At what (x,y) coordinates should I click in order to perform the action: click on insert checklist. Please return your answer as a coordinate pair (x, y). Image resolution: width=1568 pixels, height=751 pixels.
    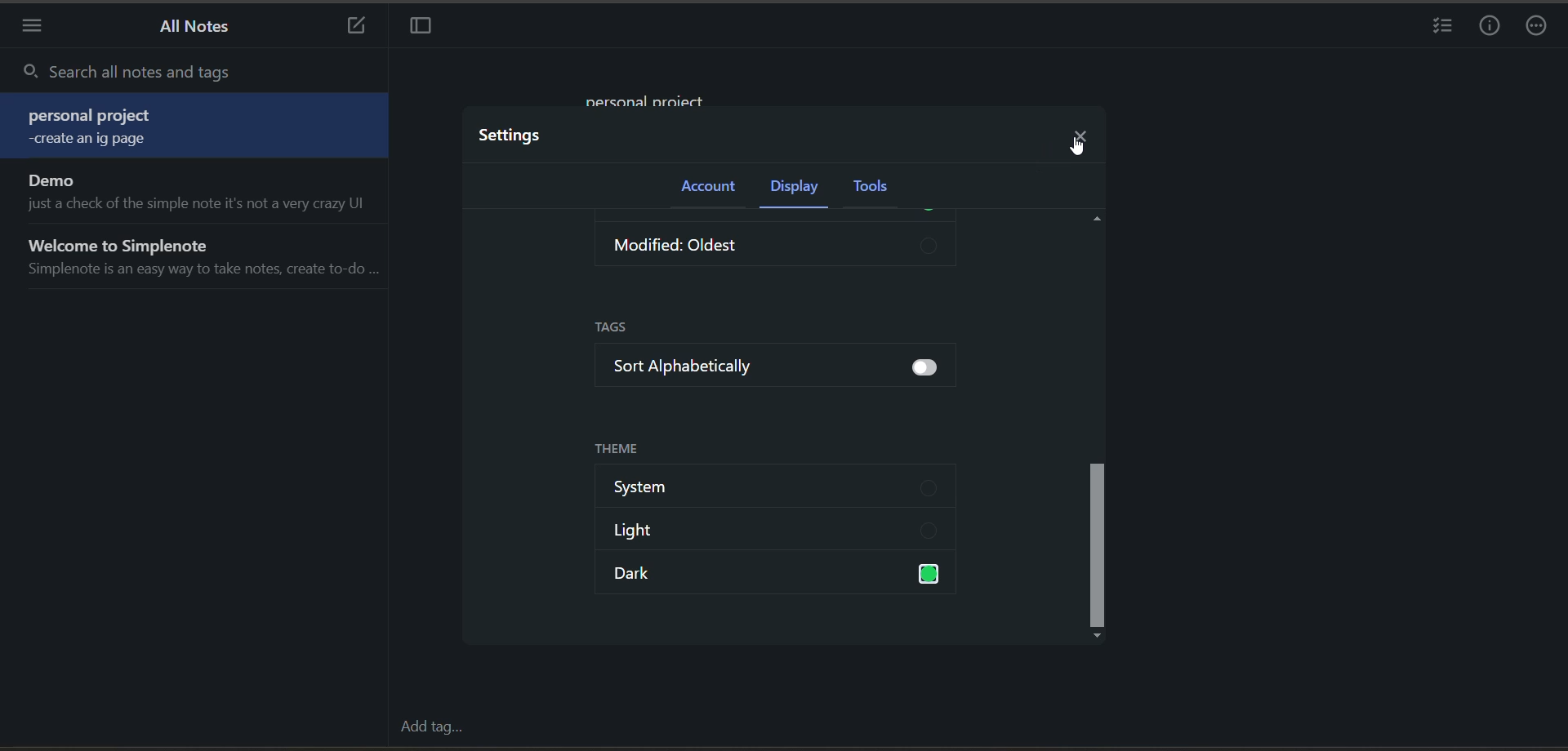
    Looking at the image, I should click on (1440, 28).